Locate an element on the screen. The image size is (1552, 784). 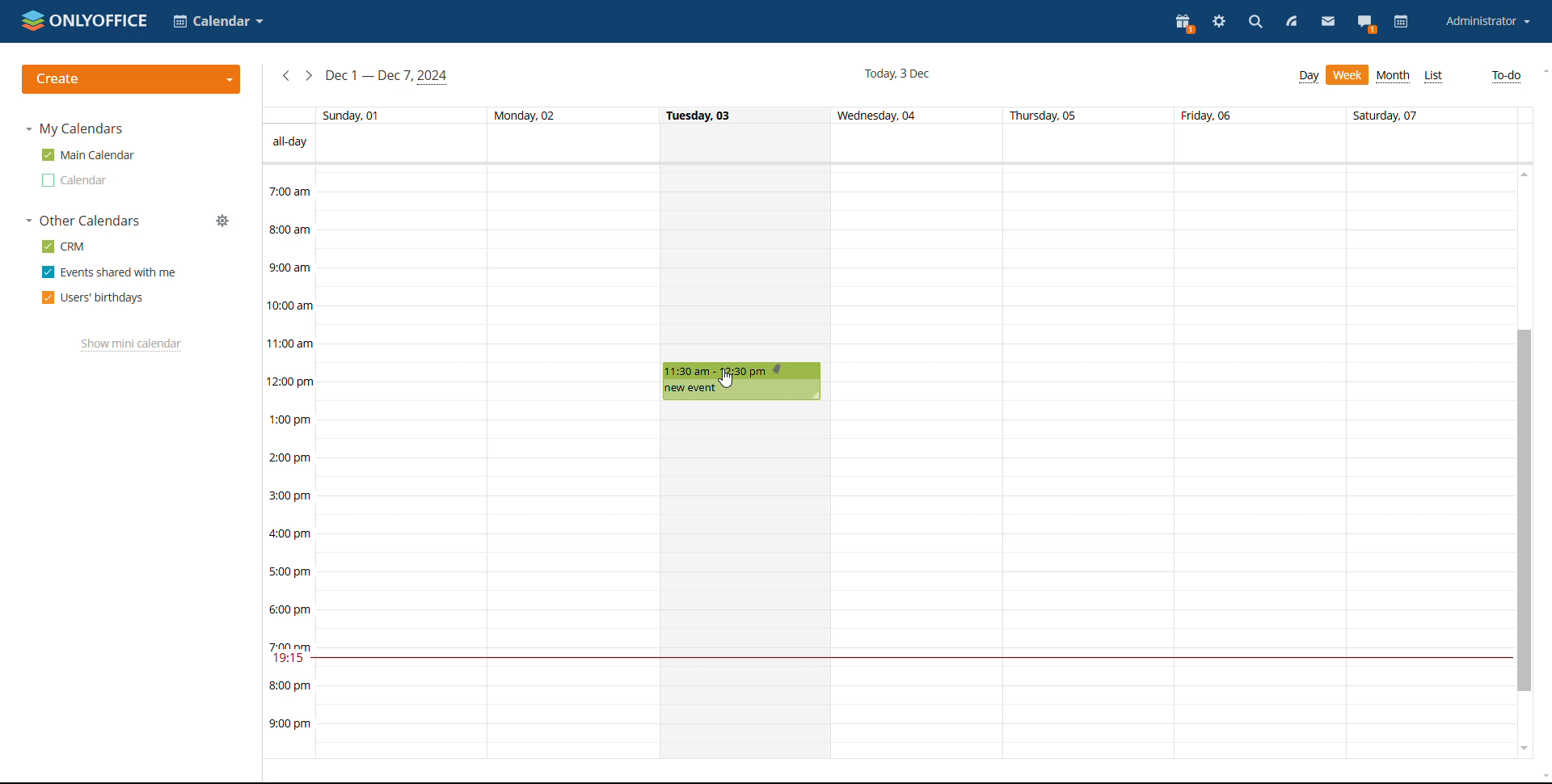
Sunday, 01 is located at coordinates (353, 114).